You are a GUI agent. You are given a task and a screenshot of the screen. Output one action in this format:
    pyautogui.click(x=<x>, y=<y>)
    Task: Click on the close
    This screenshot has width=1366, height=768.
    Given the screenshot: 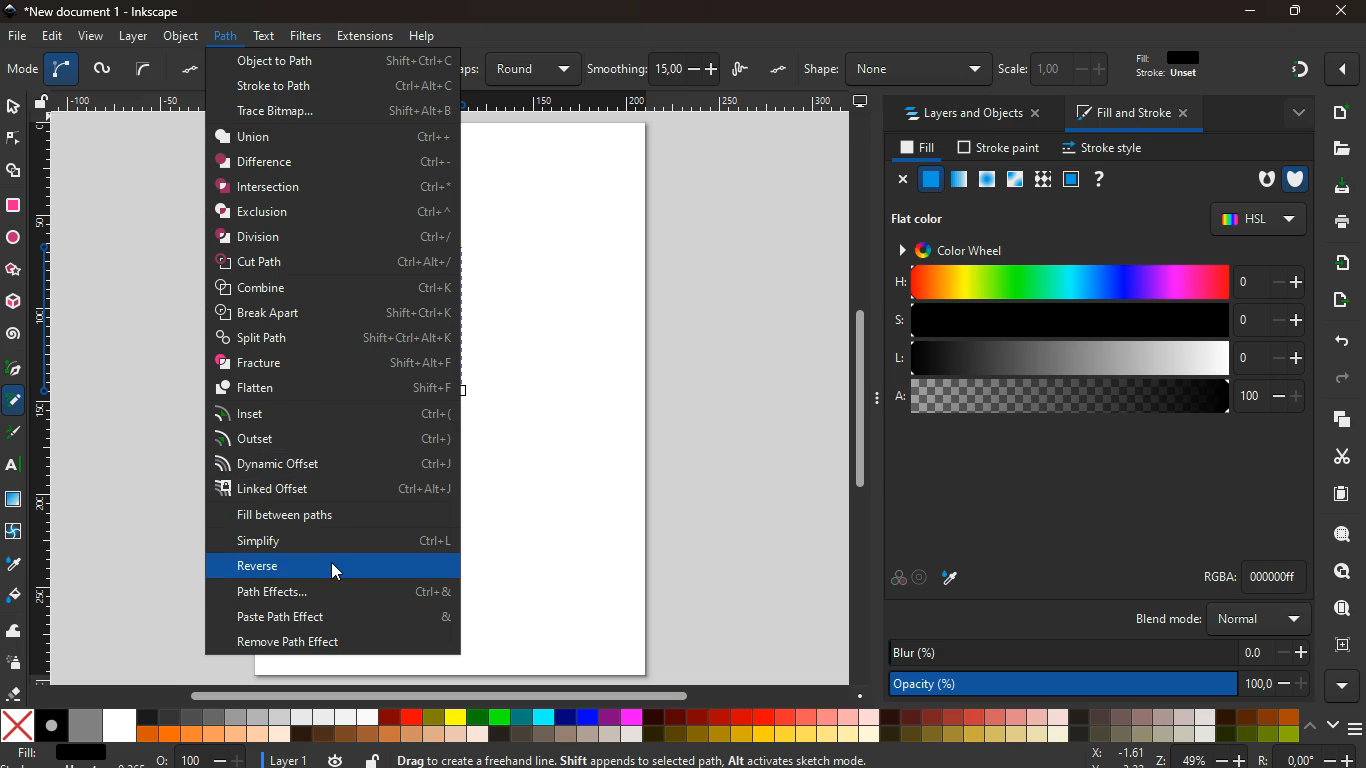 What is the action you would take?
    pyautogui.click(x=1340, y=12)
    